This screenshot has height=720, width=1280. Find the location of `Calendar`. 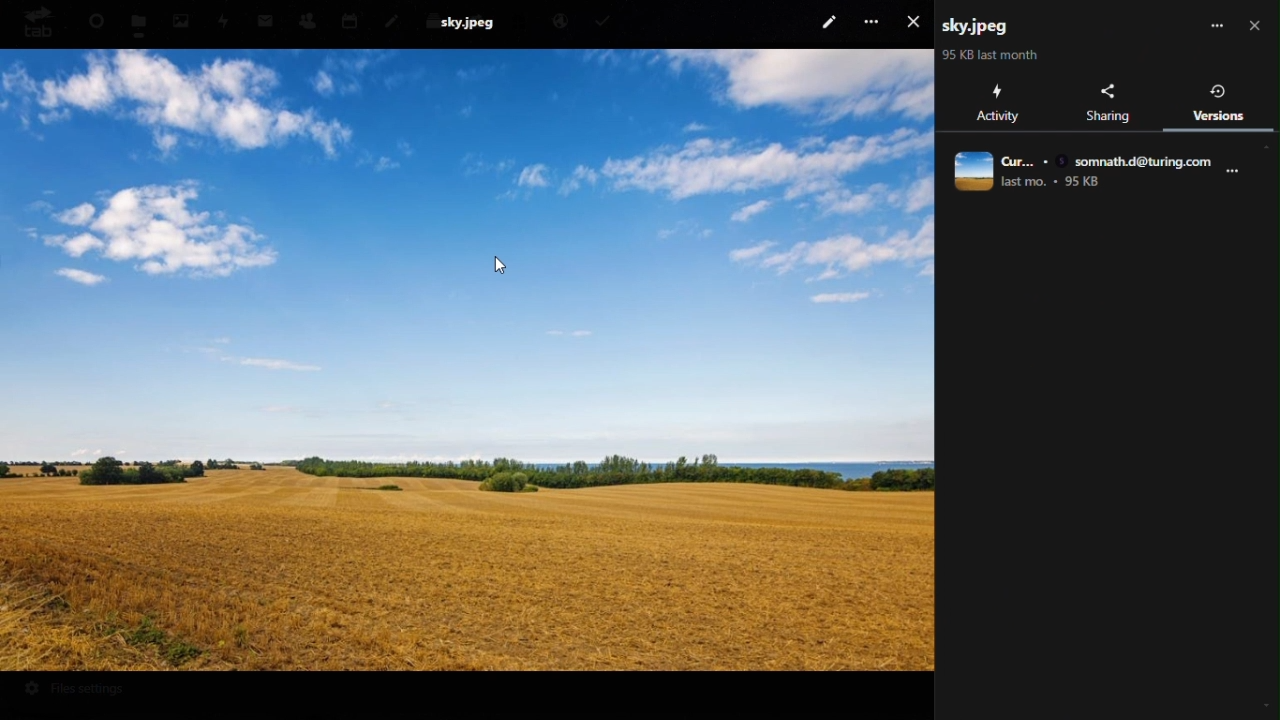

Calendar is located at coordinates (349, 18).